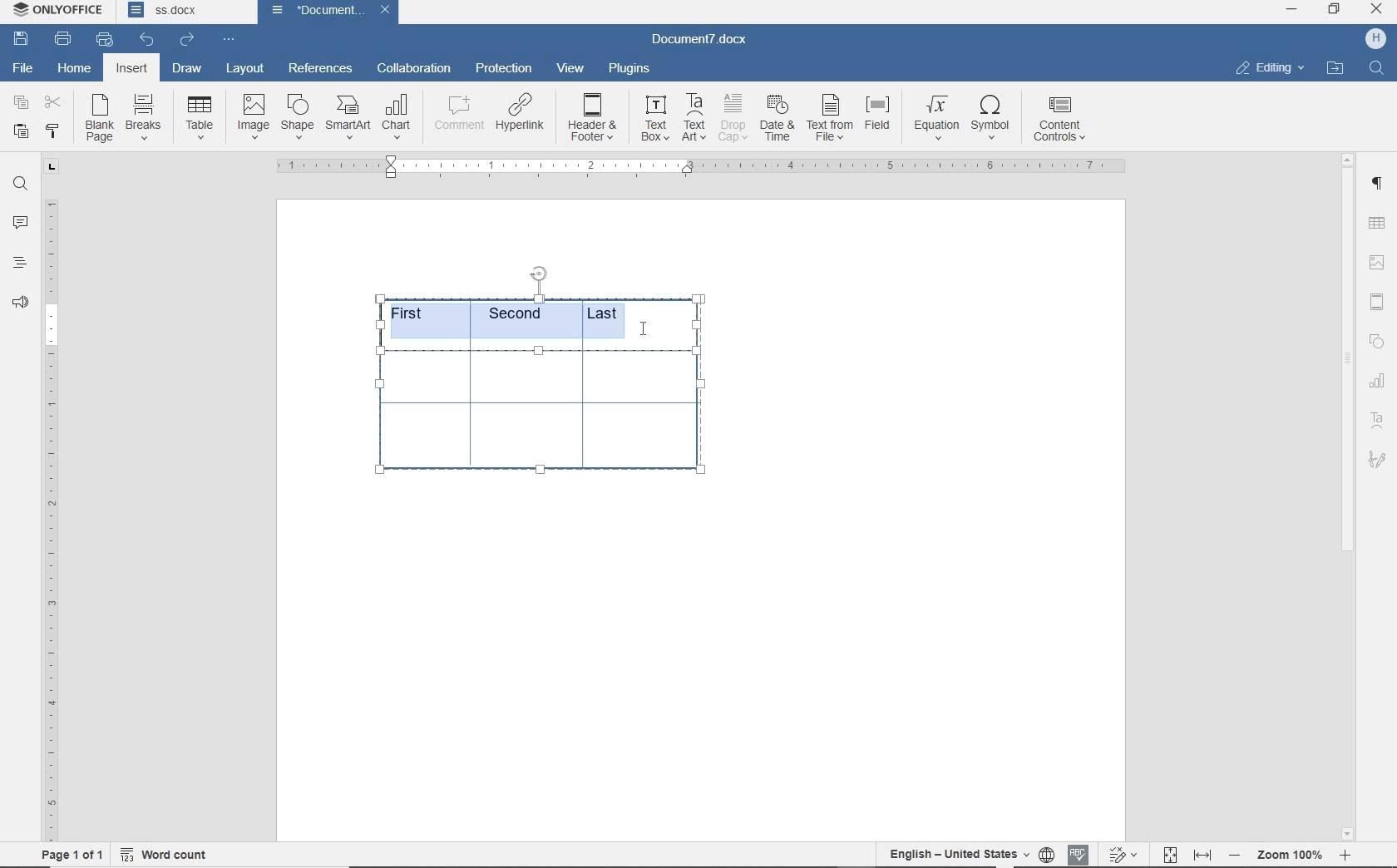 The width and height of the screenshot is (1397, 868). I want to click on tab group, so click(49, 167).